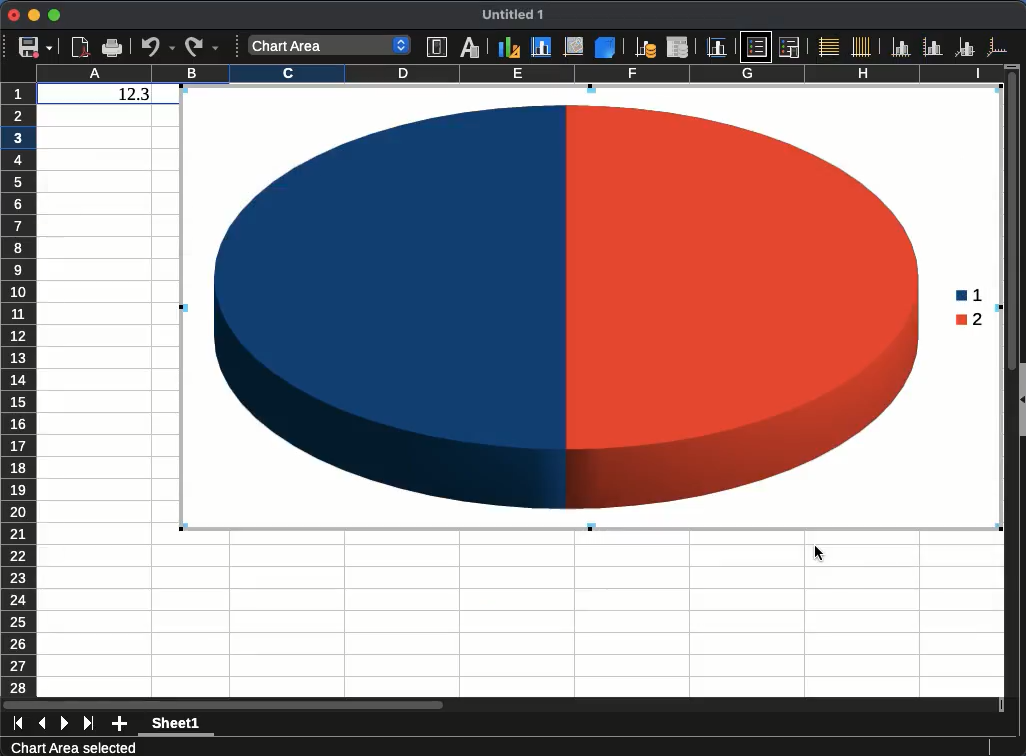  Describe the element at coordinates (997, 46) in the screenshot. I see `All axes` at that location.